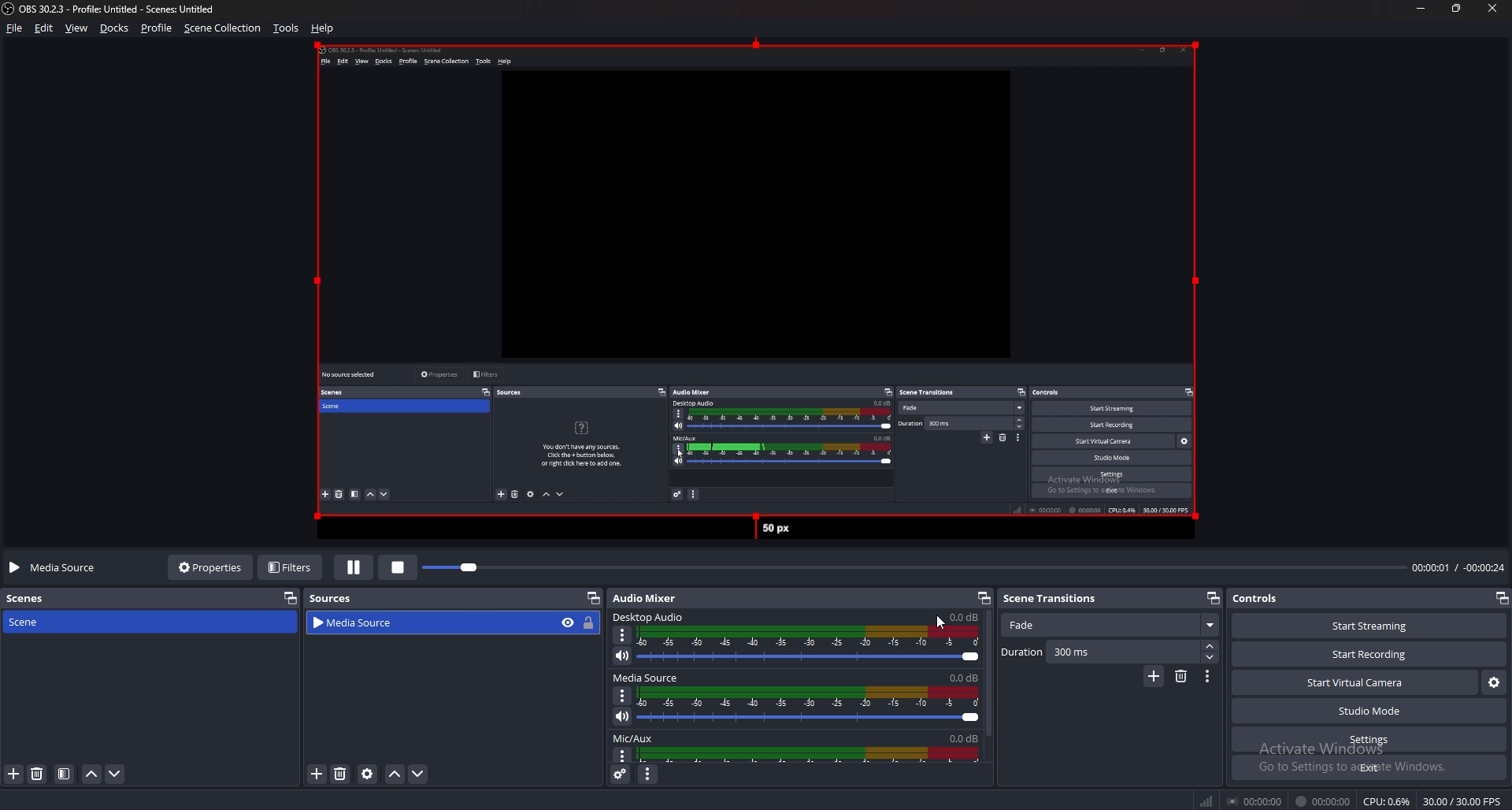  What do you see at coordinates (1101, 652) in the screenshot?
I see `Duration` at bounding box center [1101, 652].